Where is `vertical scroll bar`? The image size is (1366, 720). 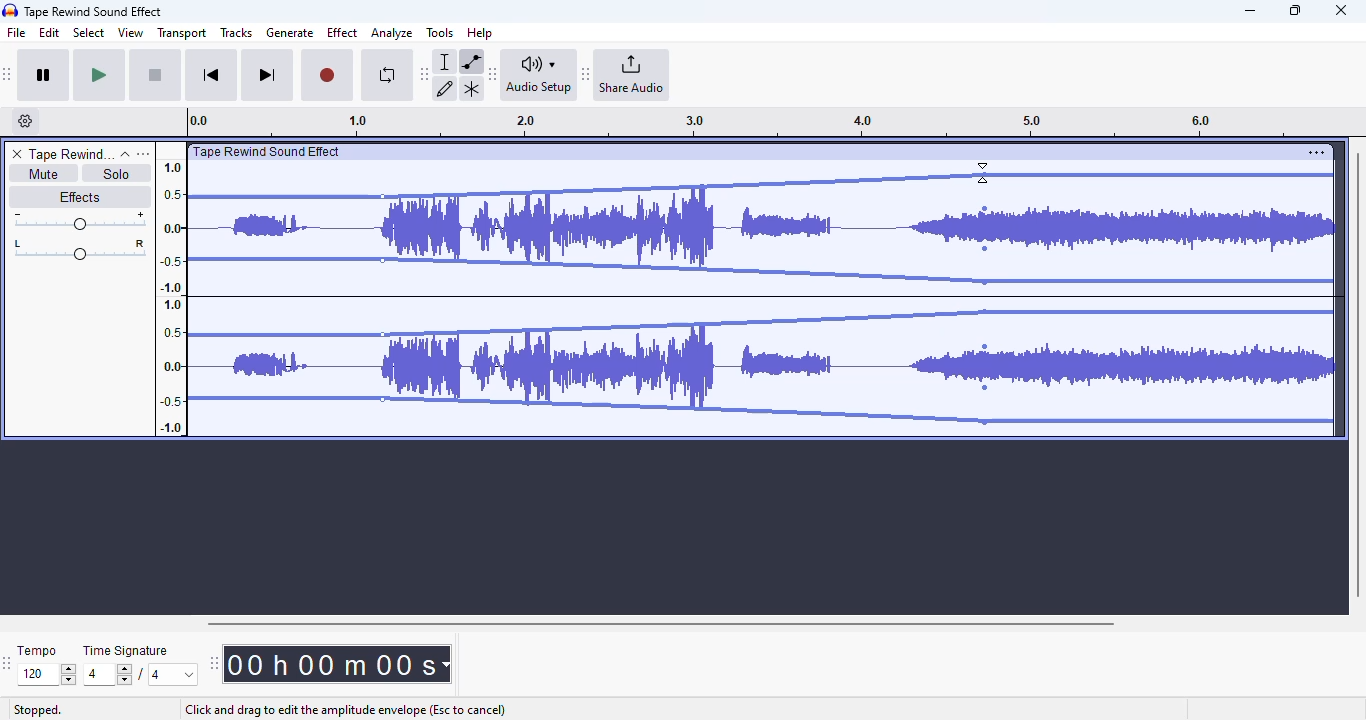 vertical scroll bar is located at coordinates (1357, 372).